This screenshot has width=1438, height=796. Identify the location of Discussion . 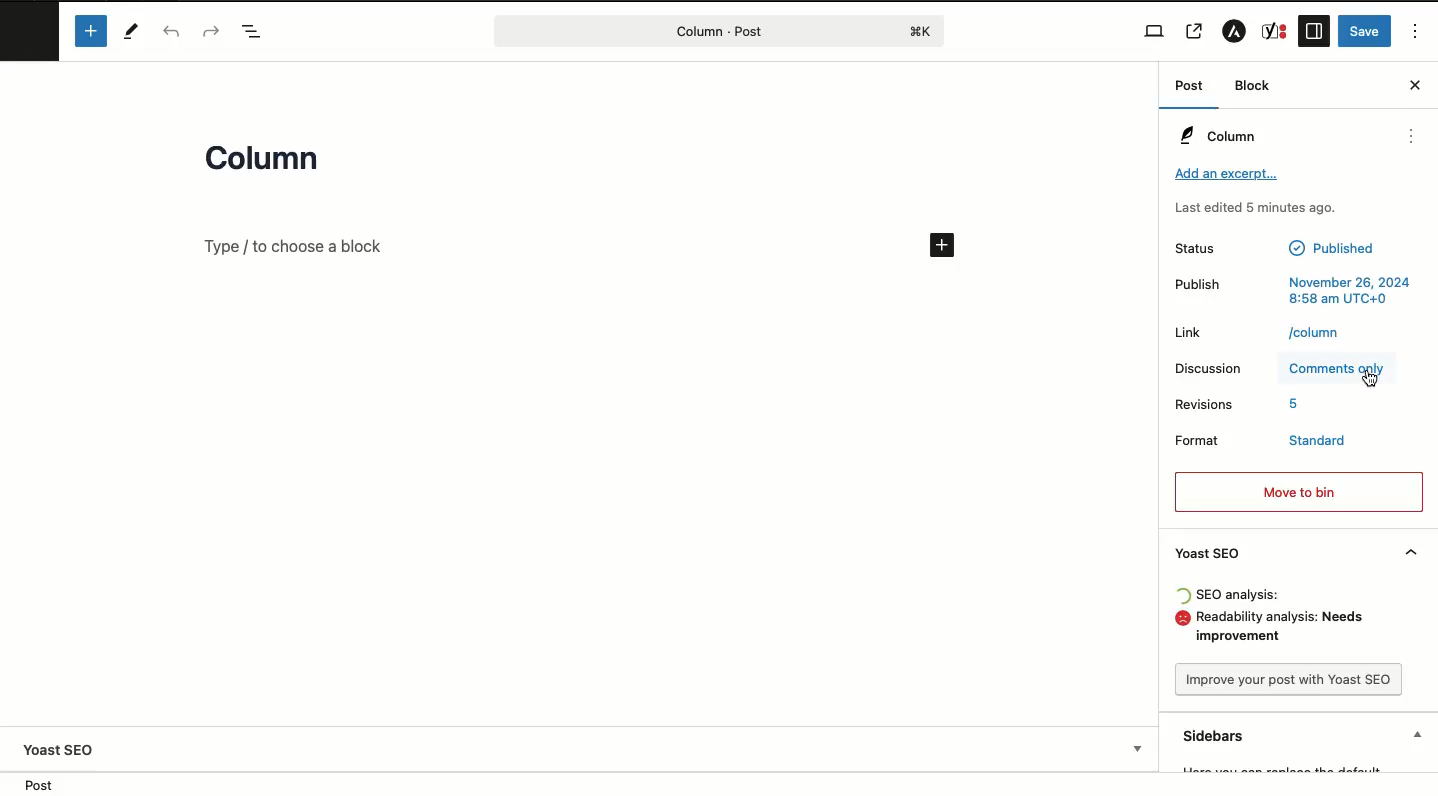
(1211, 367).